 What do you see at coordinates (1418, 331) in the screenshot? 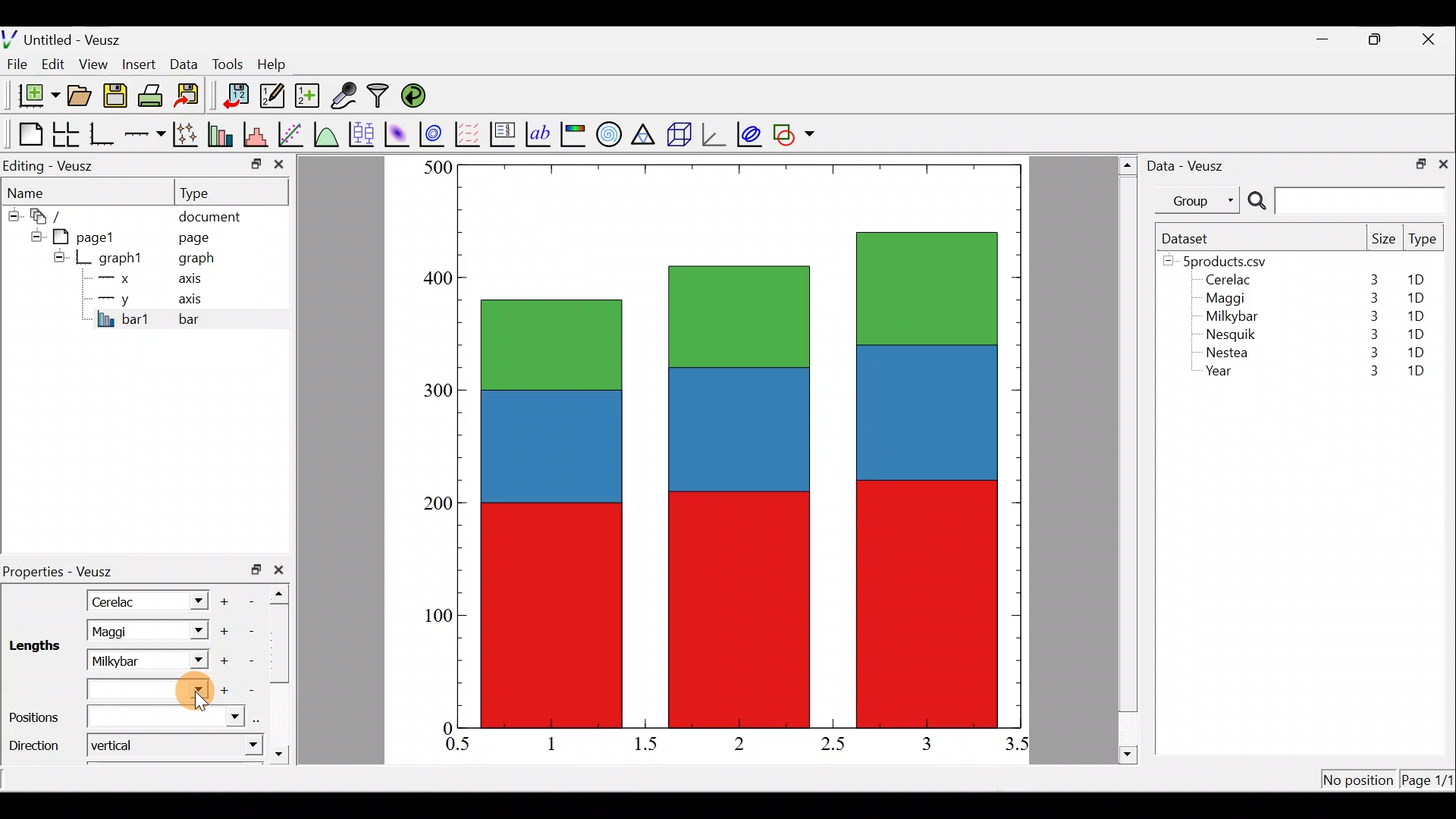
I see `1D` at bounding box center [1418, 331].